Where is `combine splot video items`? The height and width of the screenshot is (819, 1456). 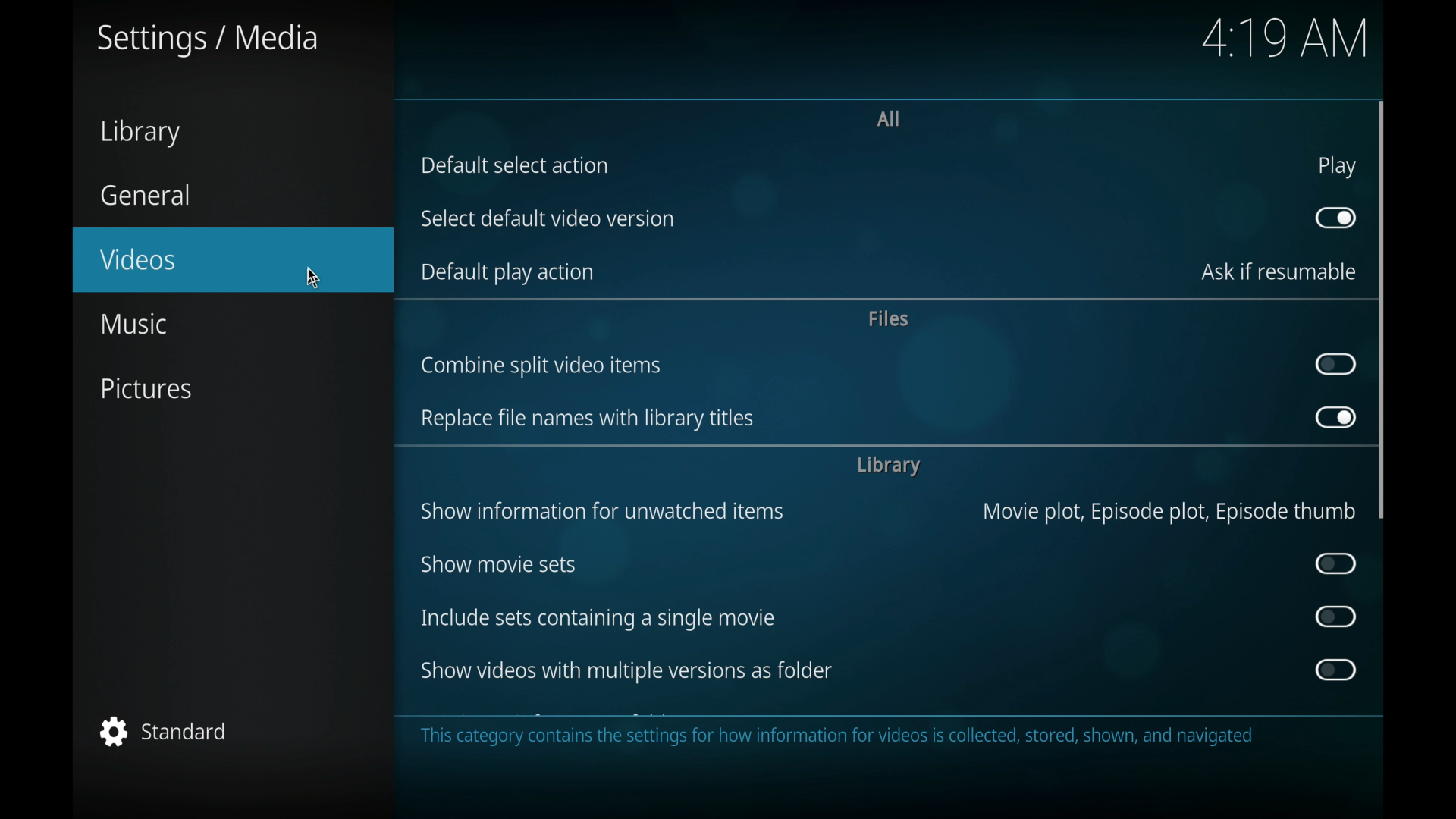
combine splot video items is located at coordinates (541, 366).